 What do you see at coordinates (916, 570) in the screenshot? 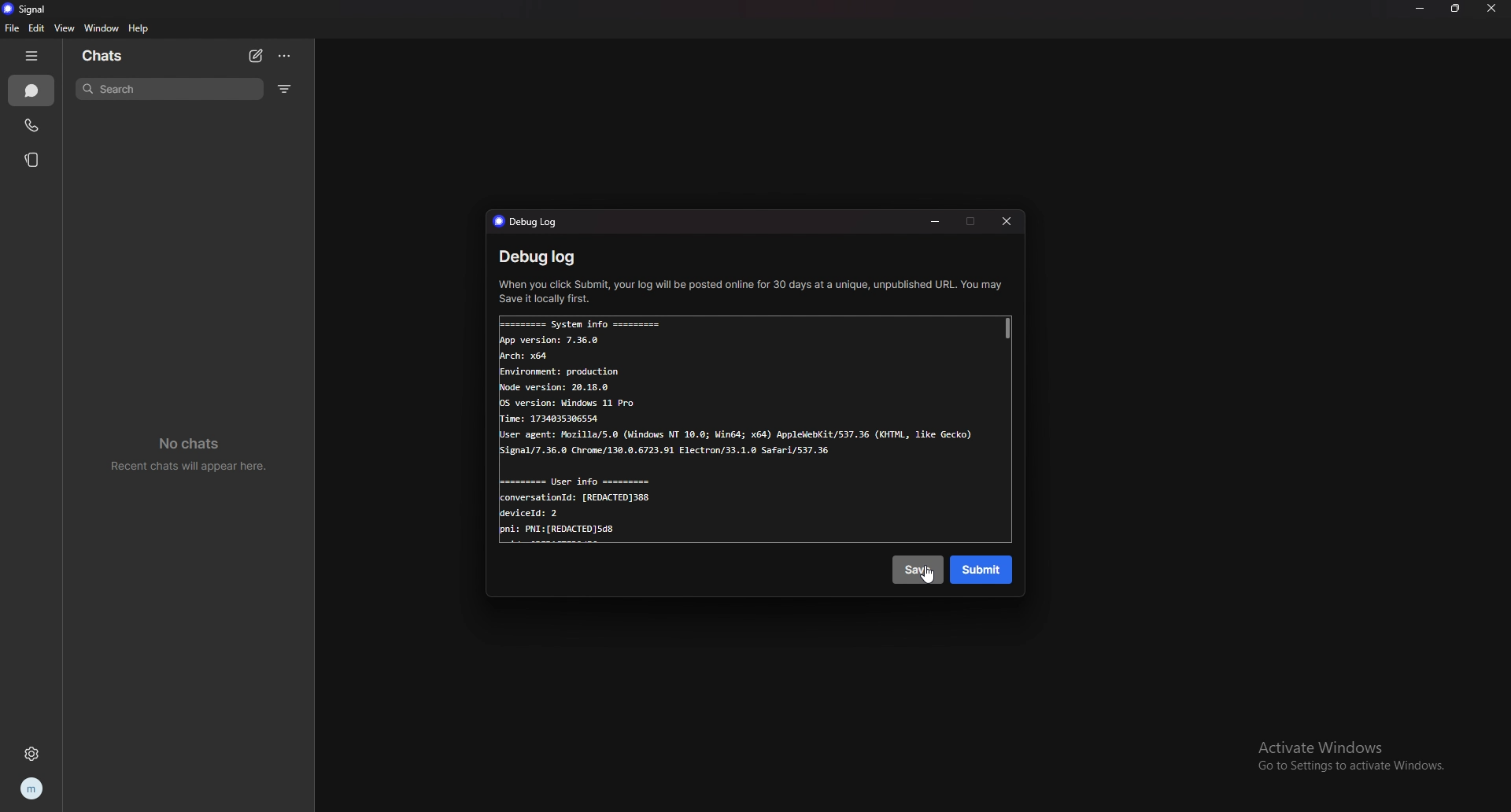
I see `save` at bounding box center [916, 570].